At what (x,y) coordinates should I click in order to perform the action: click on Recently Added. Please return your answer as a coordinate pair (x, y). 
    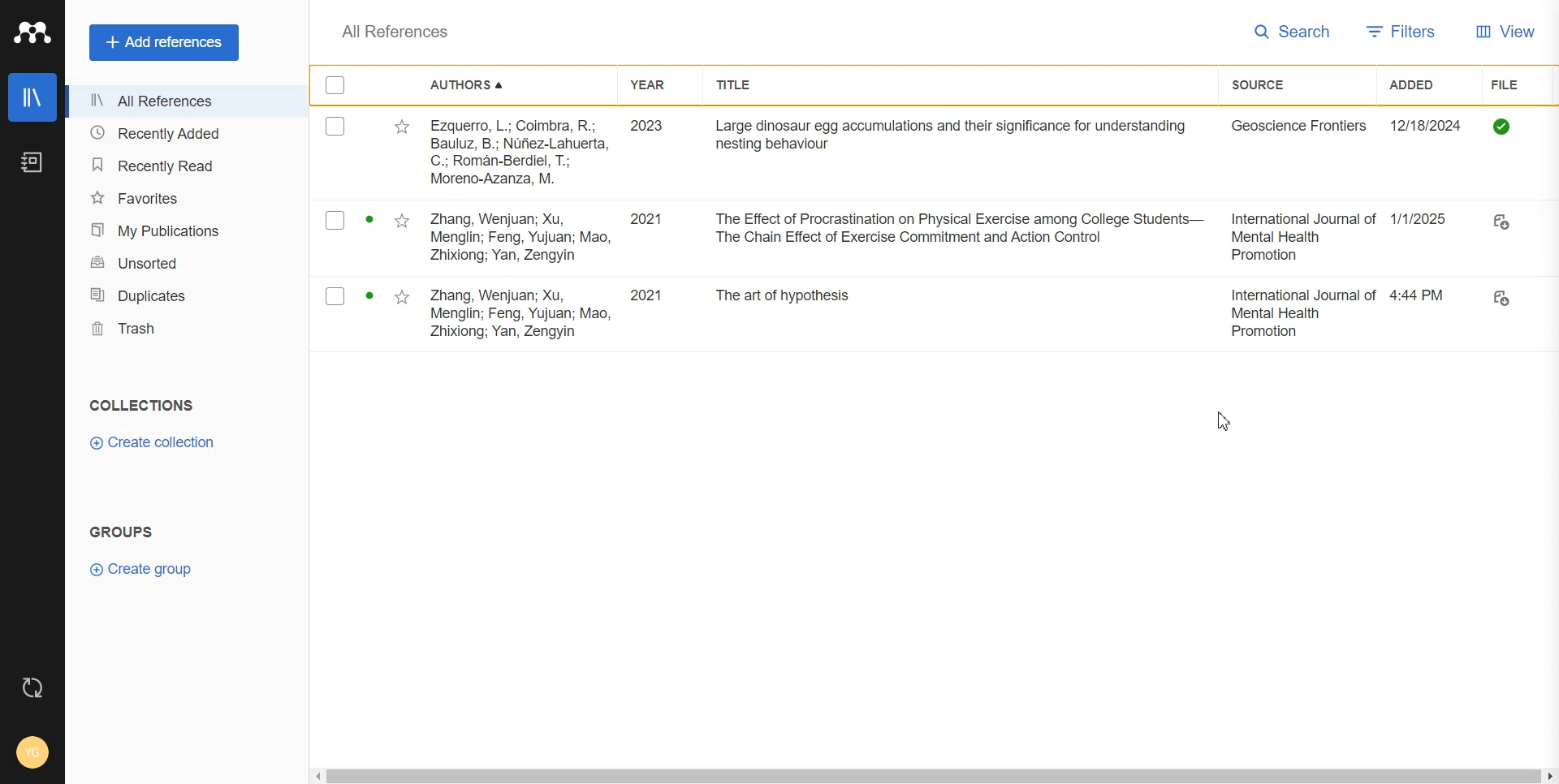
    Looking at the image, I should click on (171, 132).